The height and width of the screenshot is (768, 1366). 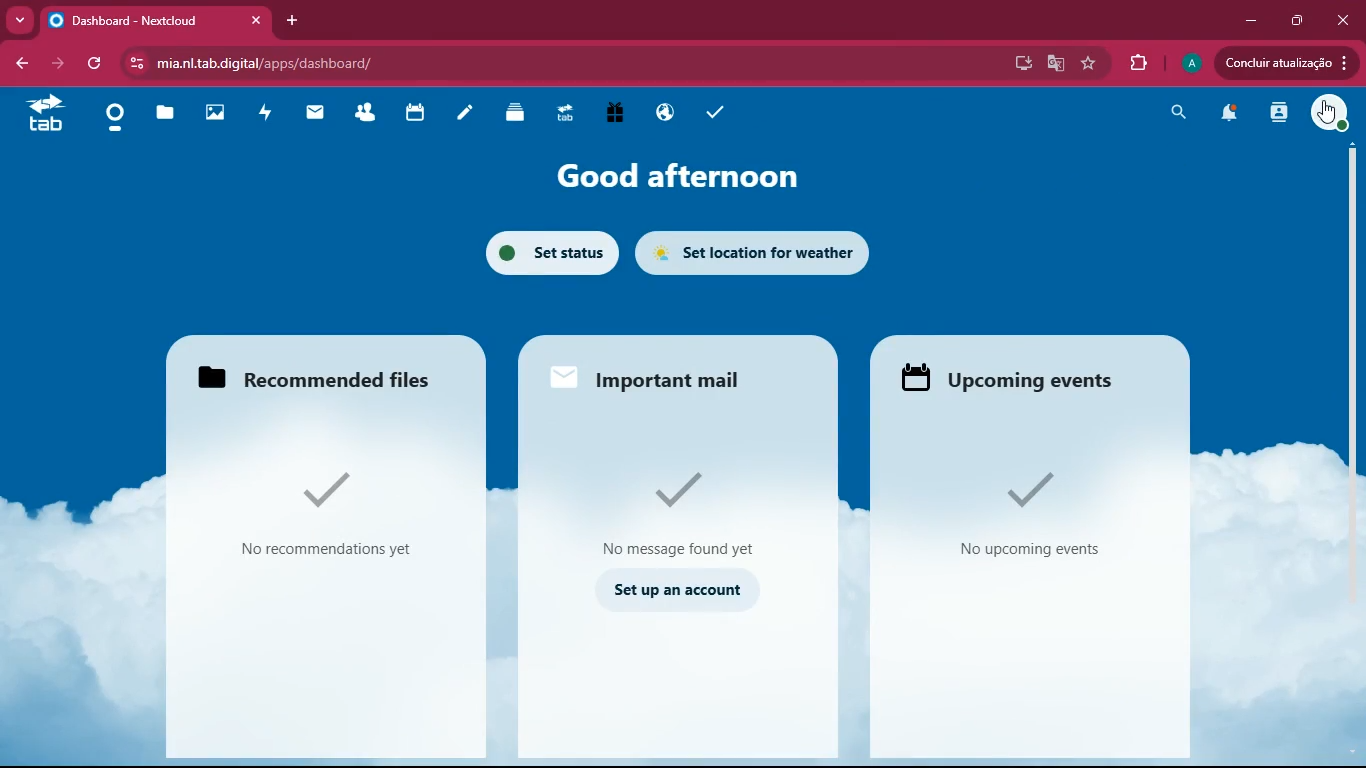 What do you see at coordinates (653, 379) in the screenshot?
I see `Important mail` at bounding box center [653, 379].